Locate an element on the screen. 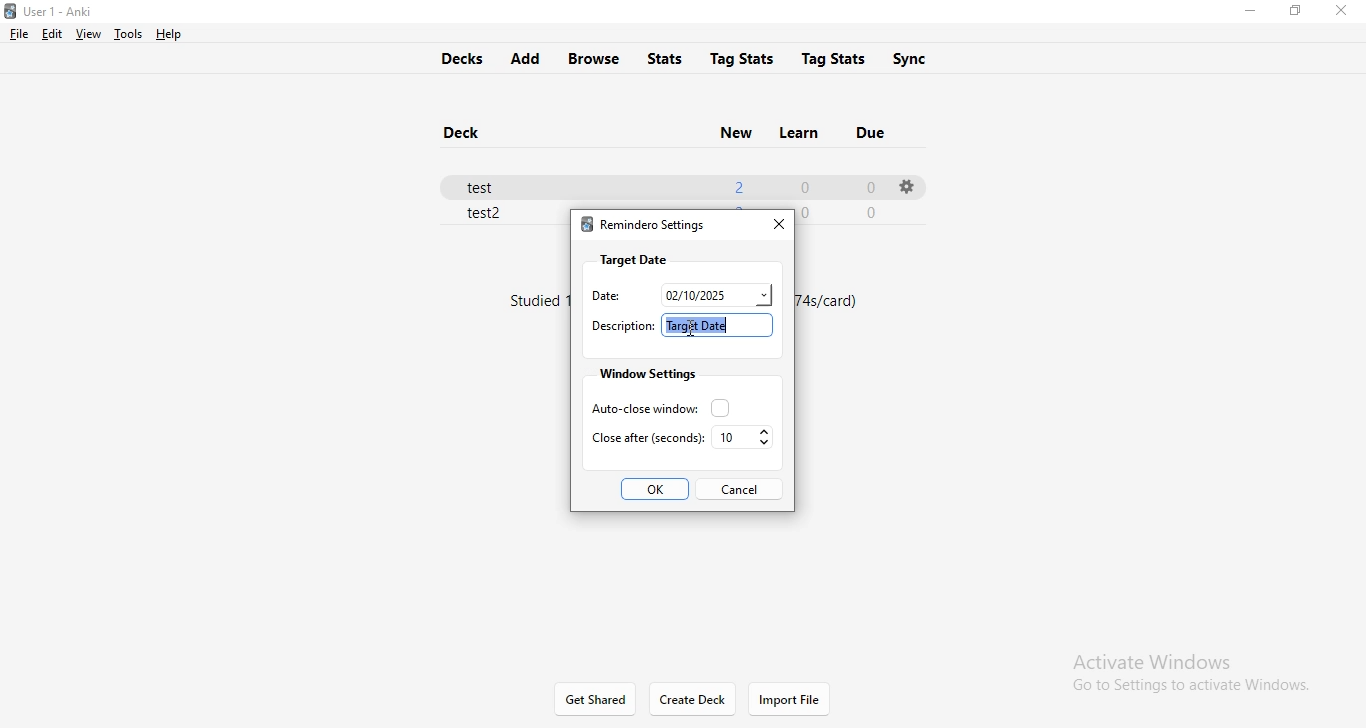  import is located at coordinates (789, 700).